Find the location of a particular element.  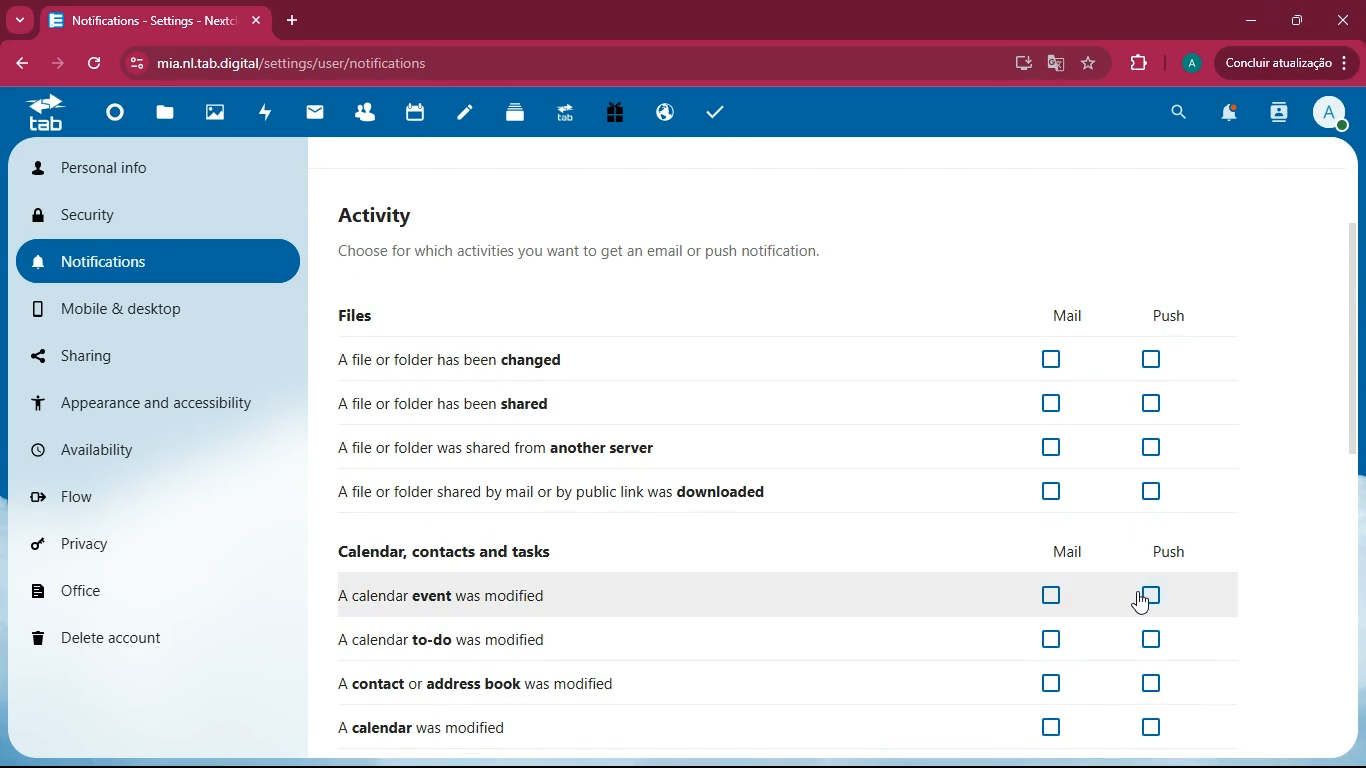

delete account is located at coordinates (158, 637).